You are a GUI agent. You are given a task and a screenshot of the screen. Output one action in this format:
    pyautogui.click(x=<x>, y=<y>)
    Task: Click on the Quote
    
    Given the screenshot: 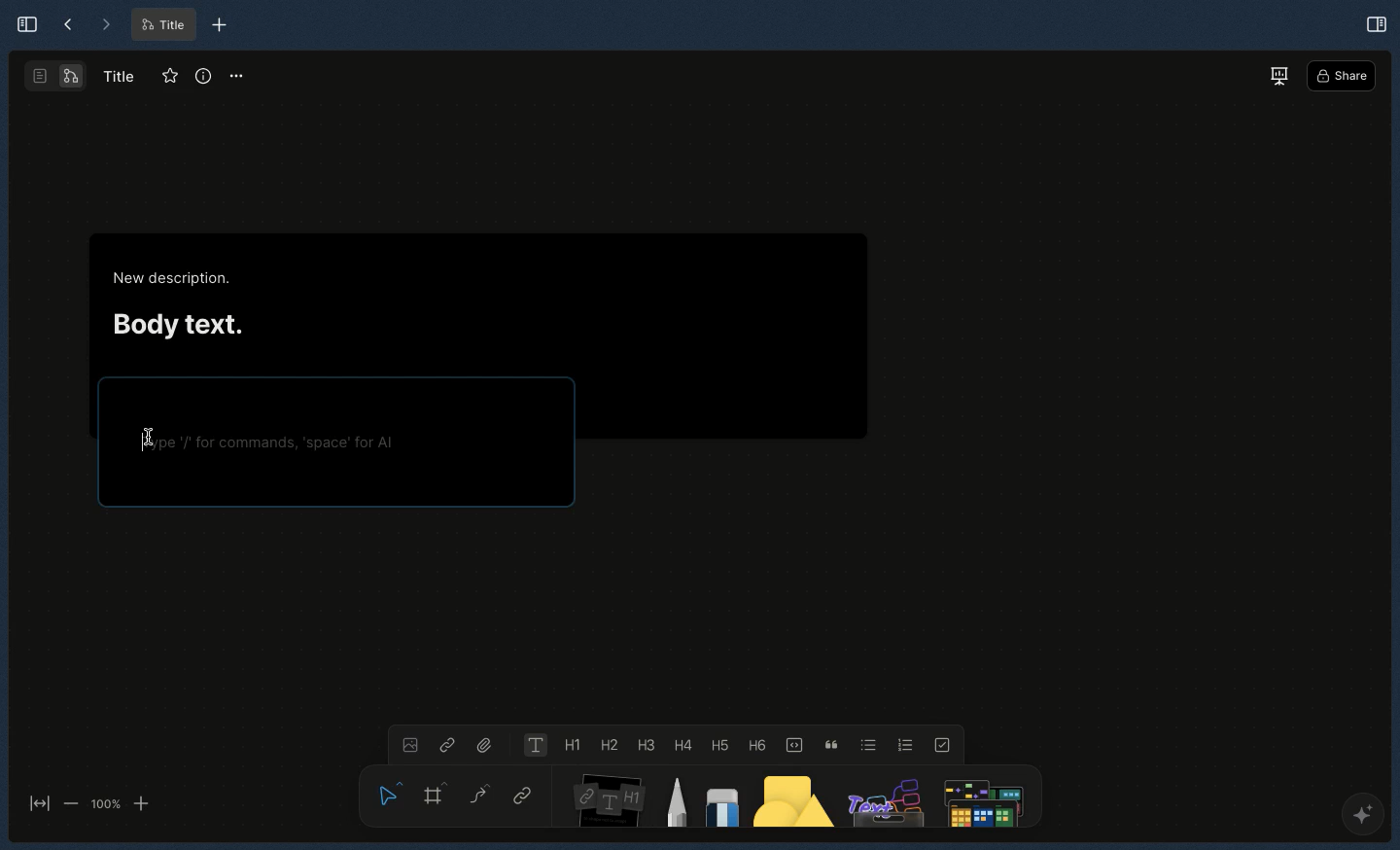 What is the action you would take?
    pyautogui.click(x=828, y=743)
    